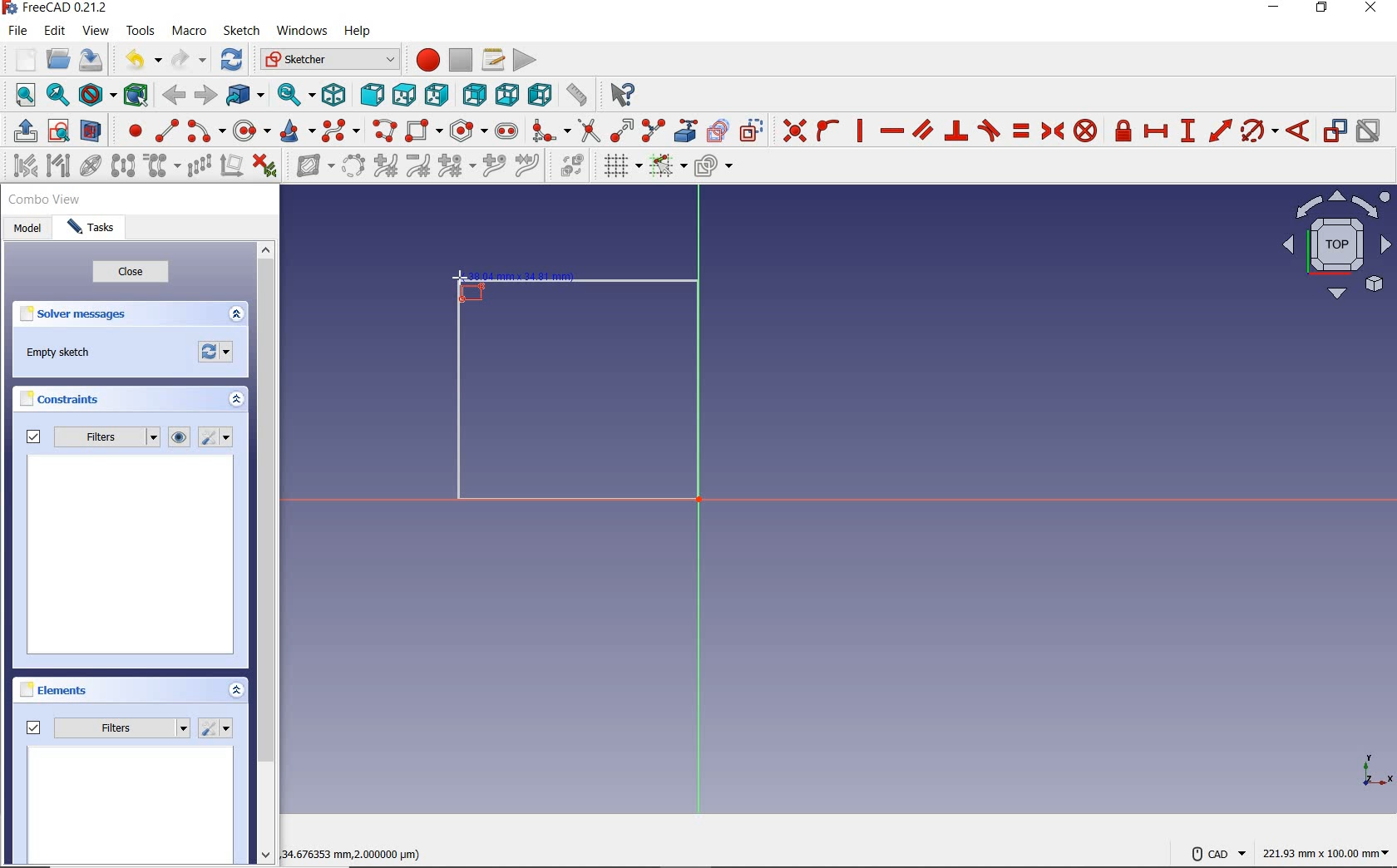 Image resolution: width=1397 pixels, height=868 pixels. What do you see at coordinates (124, 167) in the screenshot?
I see `symmetry` at bounding box center [124, 167].